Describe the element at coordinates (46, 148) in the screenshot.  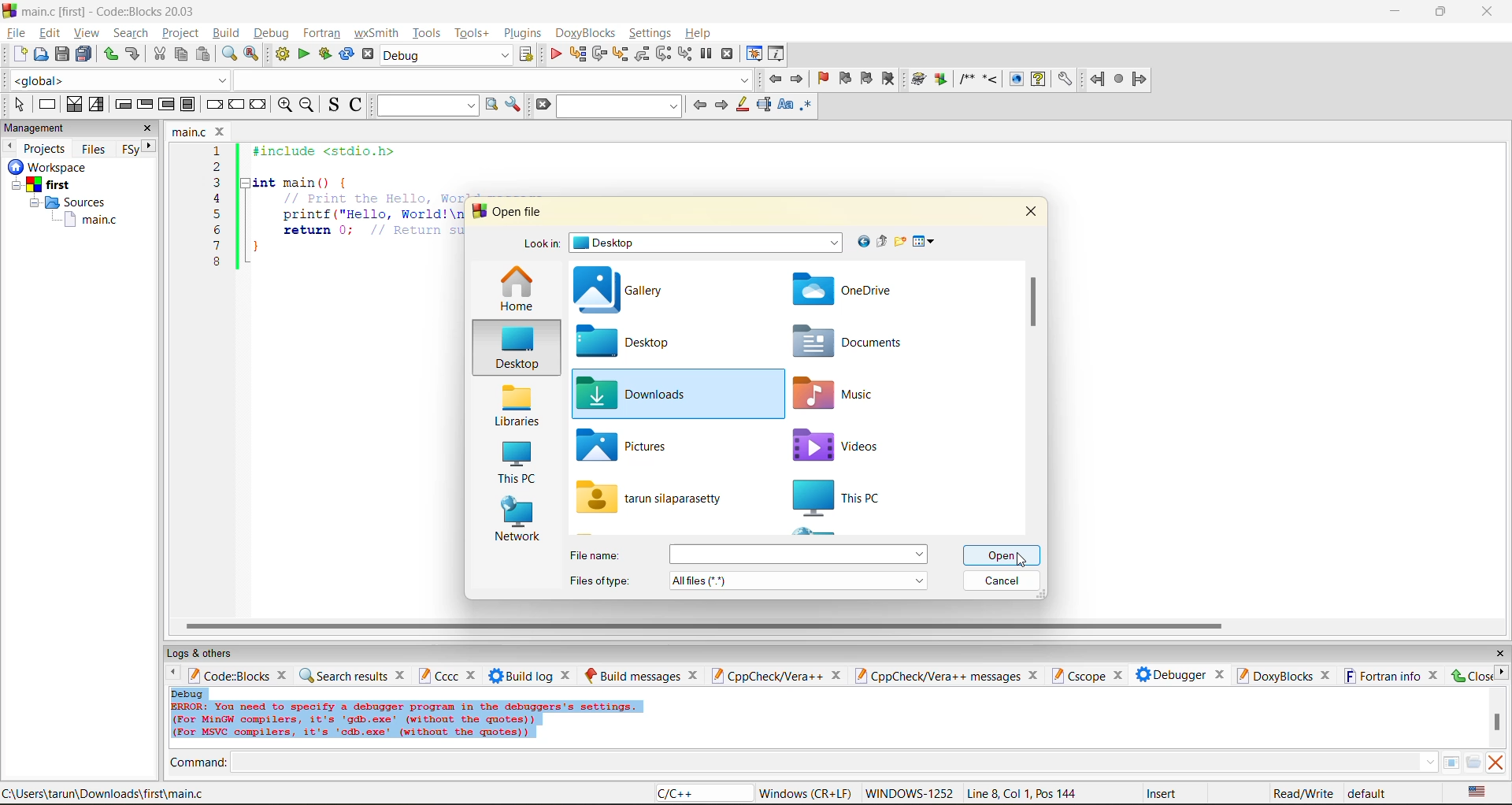
I see `projects` at that location.